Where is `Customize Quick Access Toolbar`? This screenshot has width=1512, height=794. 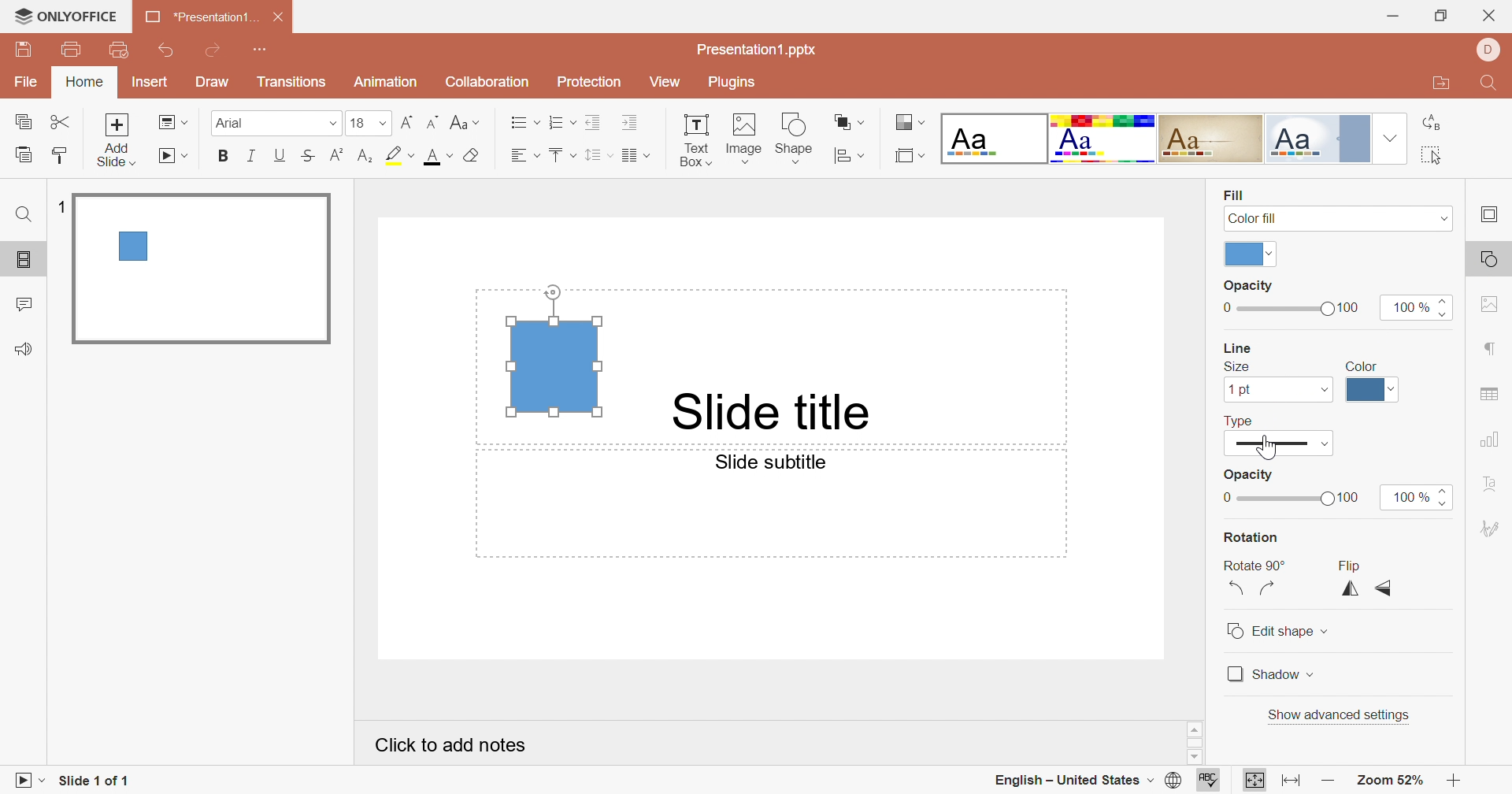
Customize Quick Access Toolbar is located at coordinates (120, 50).